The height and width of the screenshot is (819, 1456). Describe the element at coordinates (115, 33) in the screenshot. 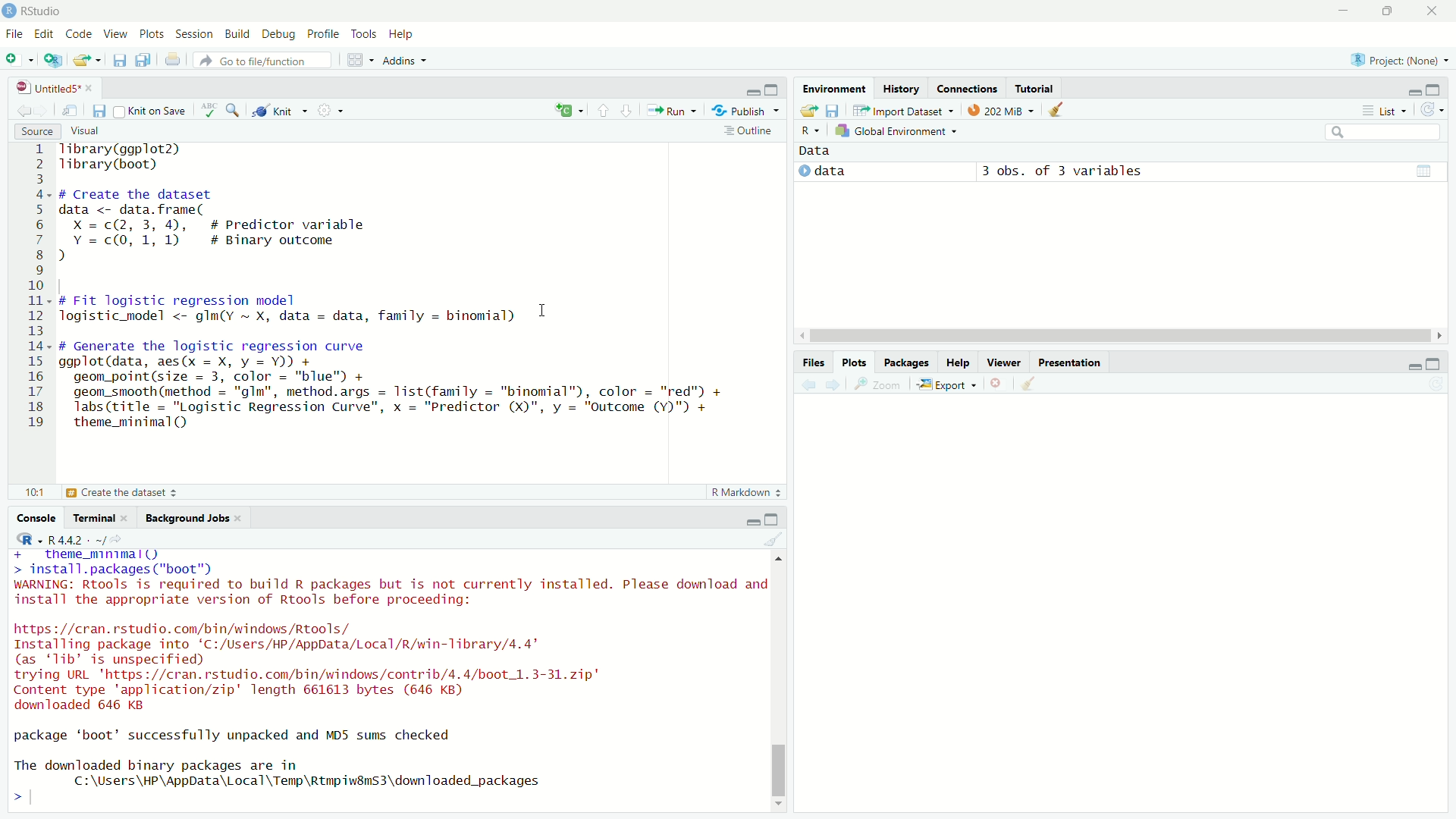

I see `View` at that location.